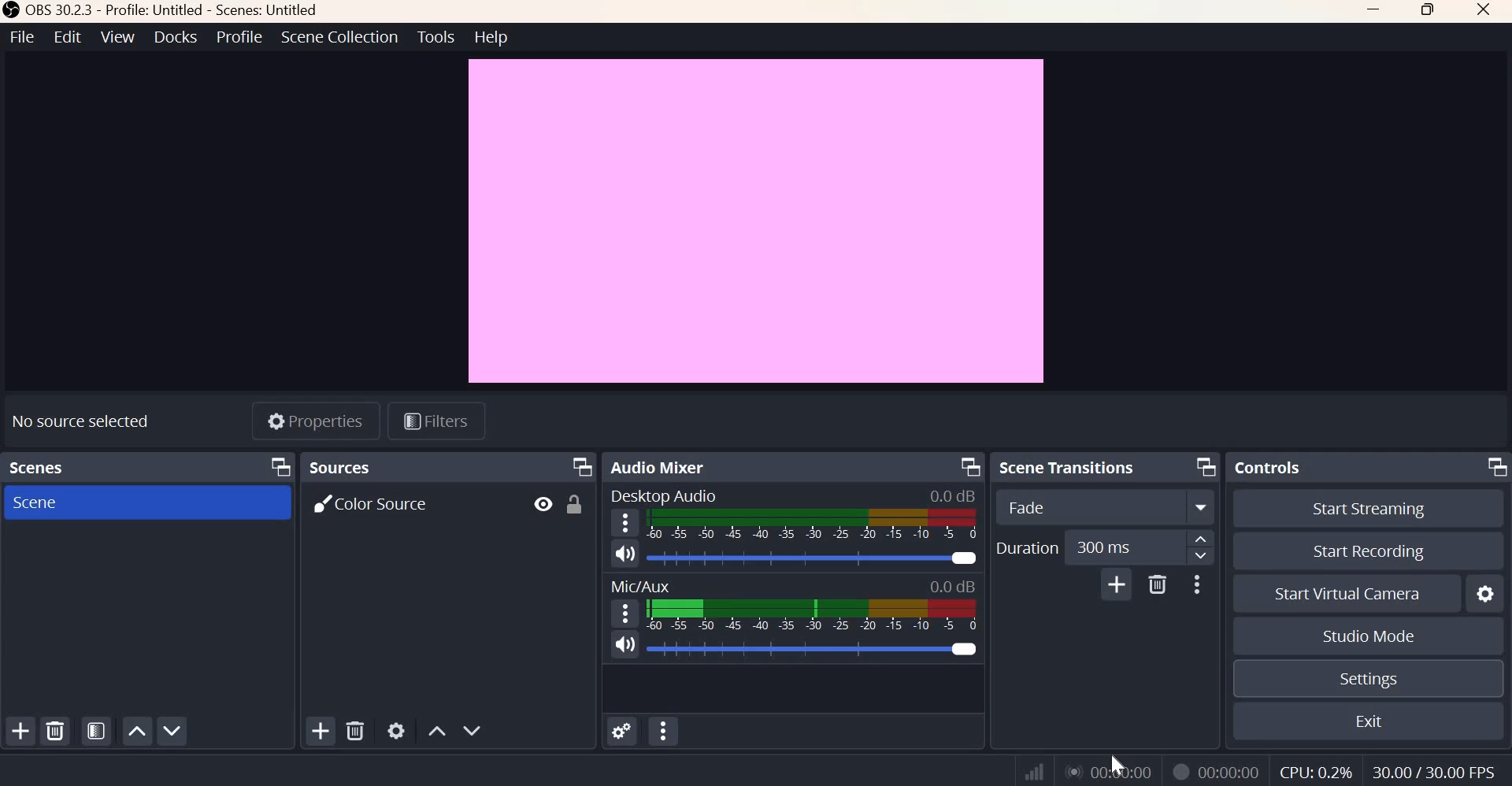 Image resolution: width=1512 pixels, height=786 pixels. I want to click on More Options, so click(1199, 584).